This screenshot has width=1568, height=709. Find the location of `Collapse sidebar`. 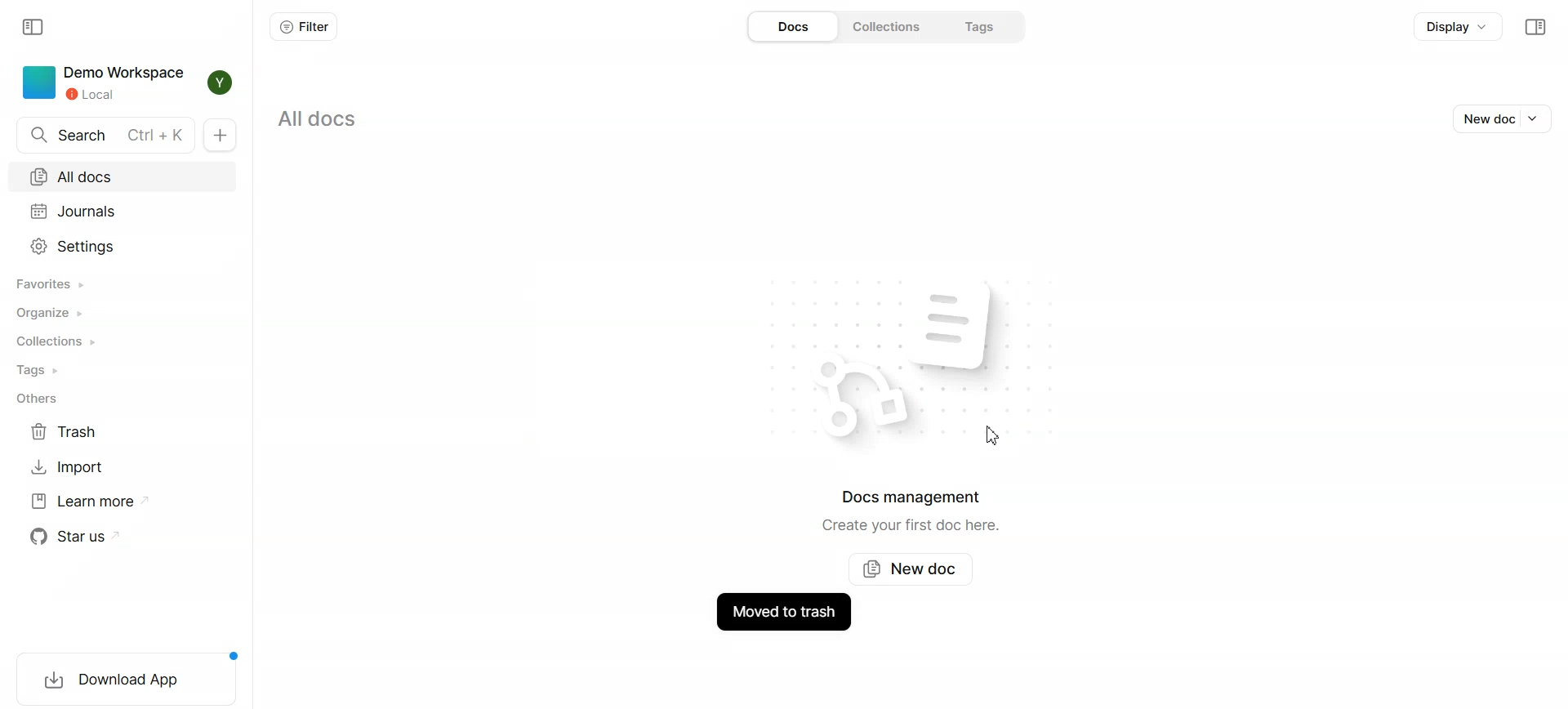

Collapse sidebar is located at coordinates (31, 27).